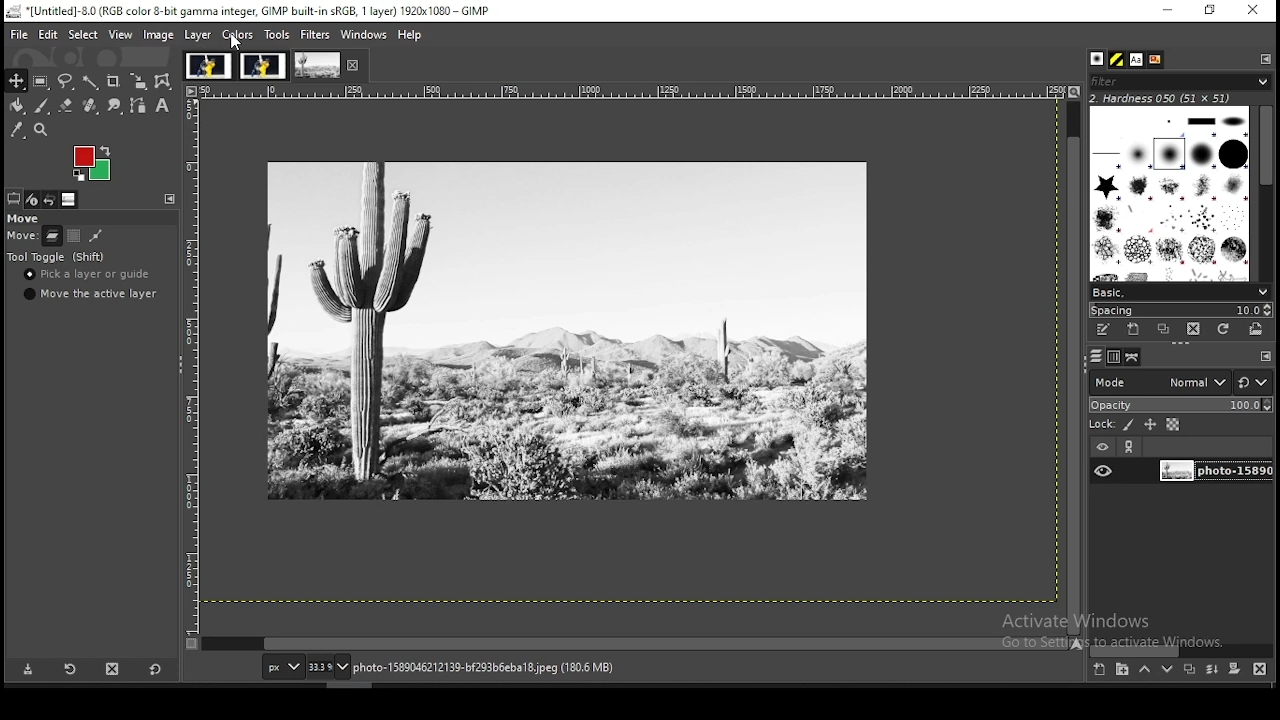  Describe the element at coordinates (354, 65) in the screenshot. I see `close` at that location.